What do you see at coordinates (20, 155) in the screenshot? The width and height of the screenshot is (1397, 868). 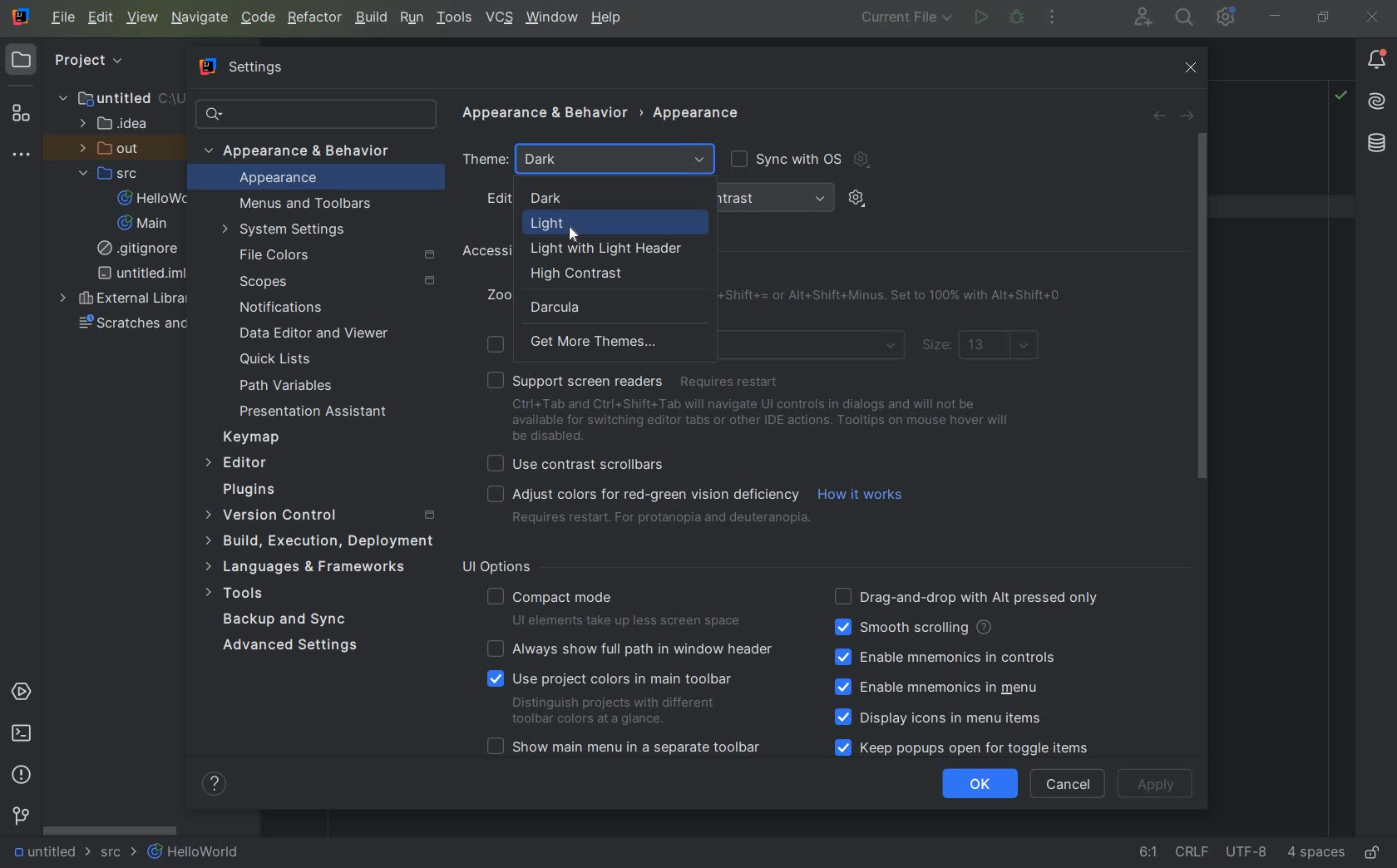 I see `MORE TOOL WINDOWS` at bounding box center [20, 155].